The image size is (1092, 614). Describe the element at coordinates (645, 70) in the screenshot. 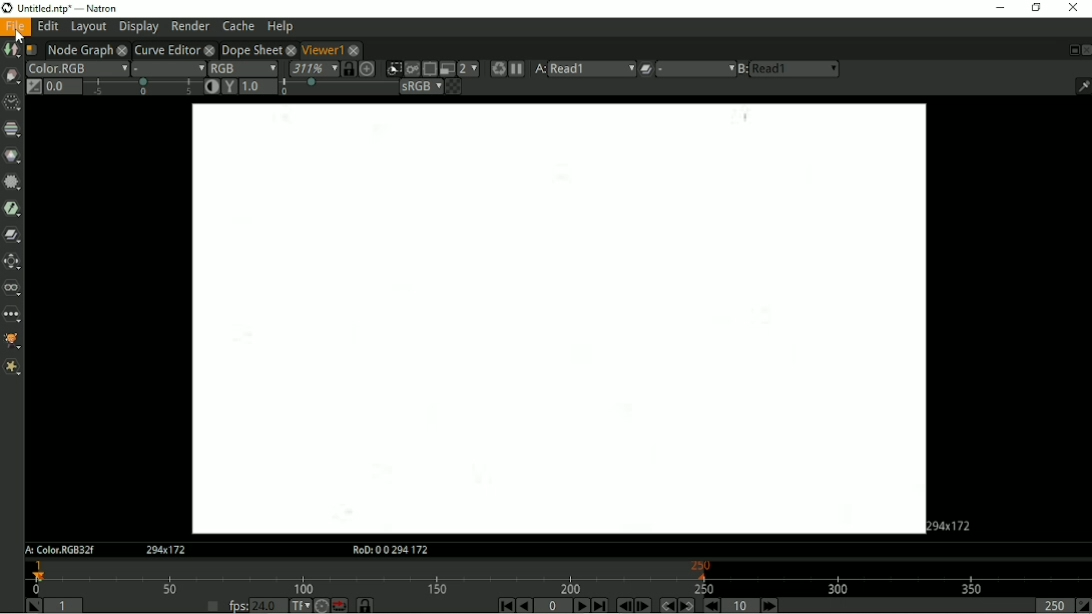

I see `Operation applied between viewer input A and B` at that location.